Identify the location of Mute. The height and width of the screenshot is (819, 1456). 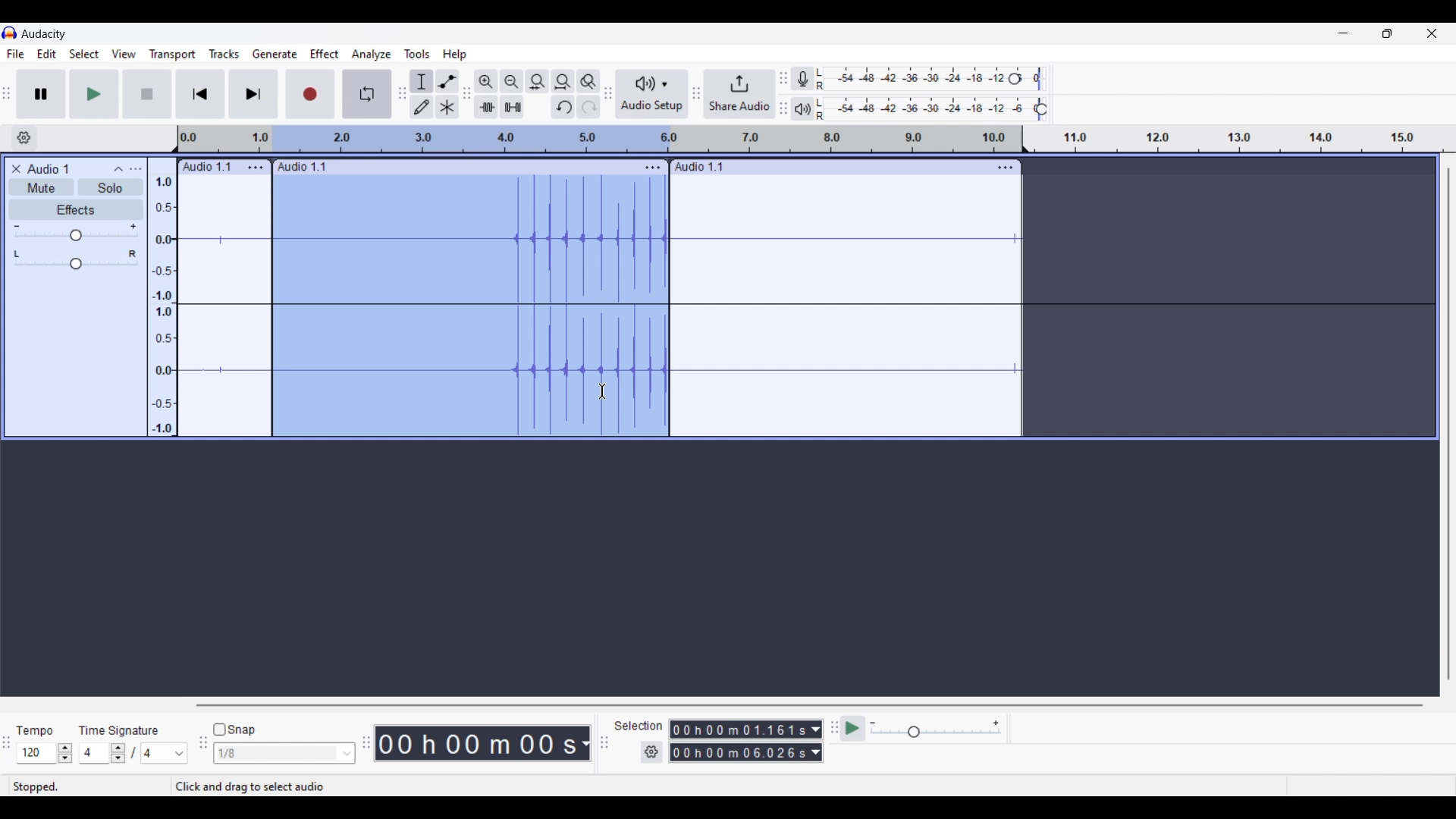
(41, 187).